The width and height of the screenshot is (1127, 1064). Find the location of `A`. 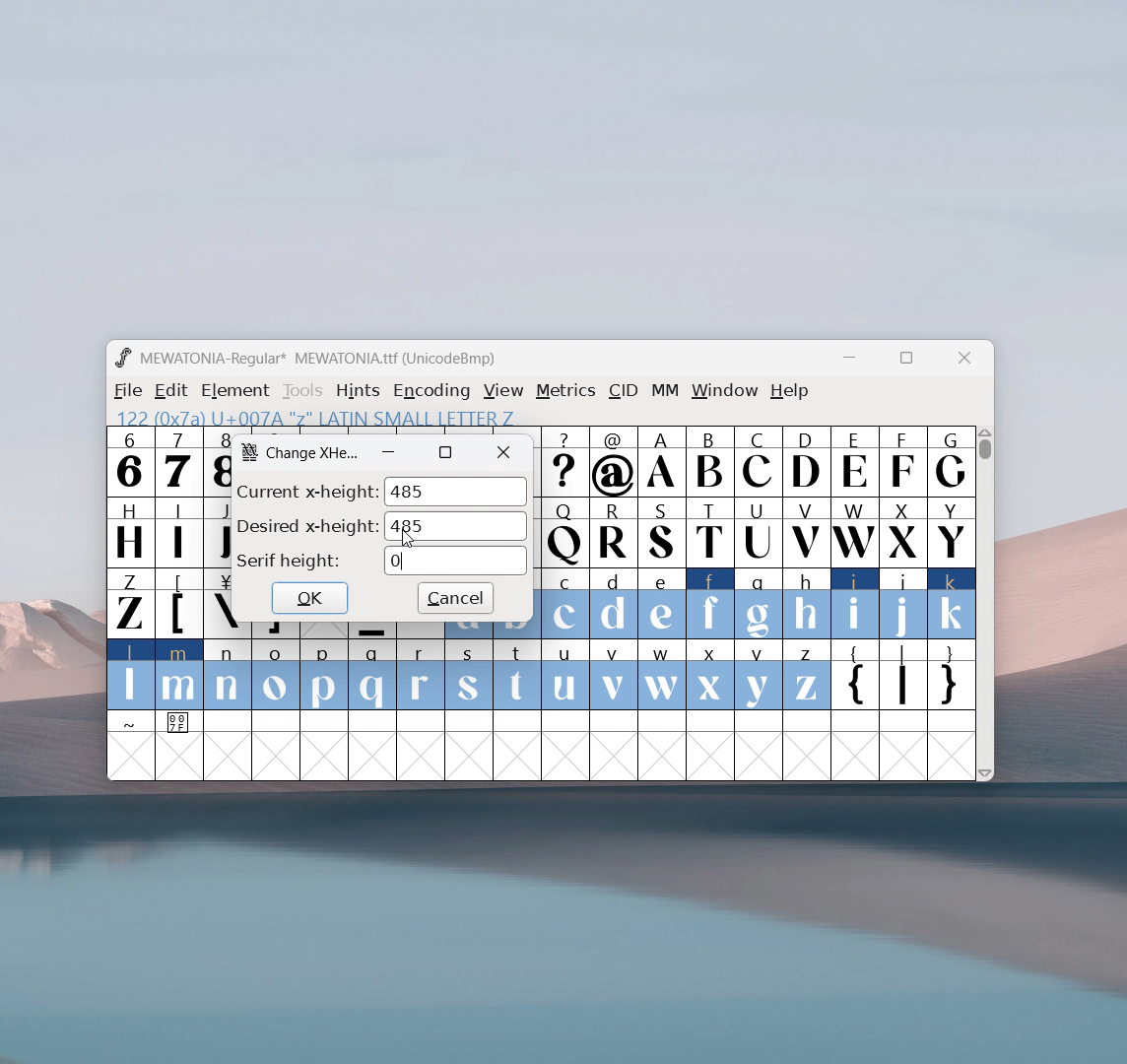

A is located at coordinates (663, 462).